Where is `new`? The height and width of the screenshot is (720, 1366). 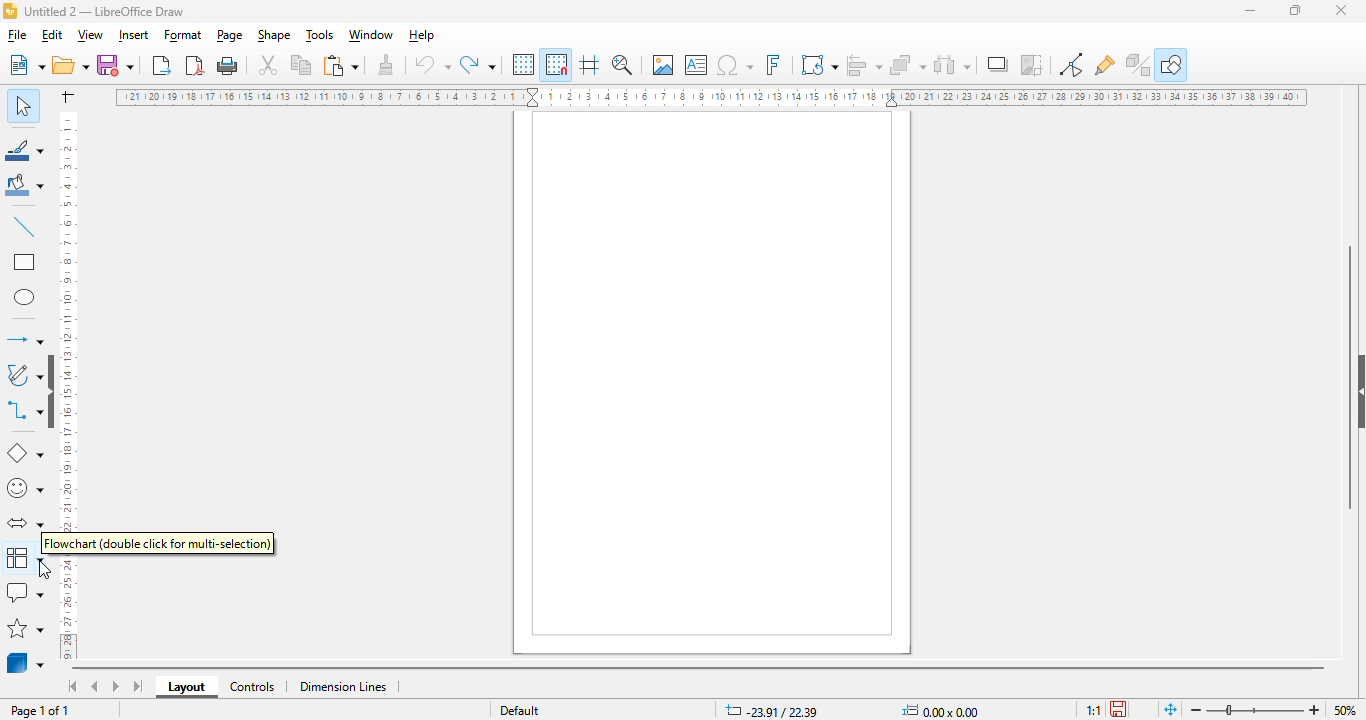
new is located at coordinates (26, 66).